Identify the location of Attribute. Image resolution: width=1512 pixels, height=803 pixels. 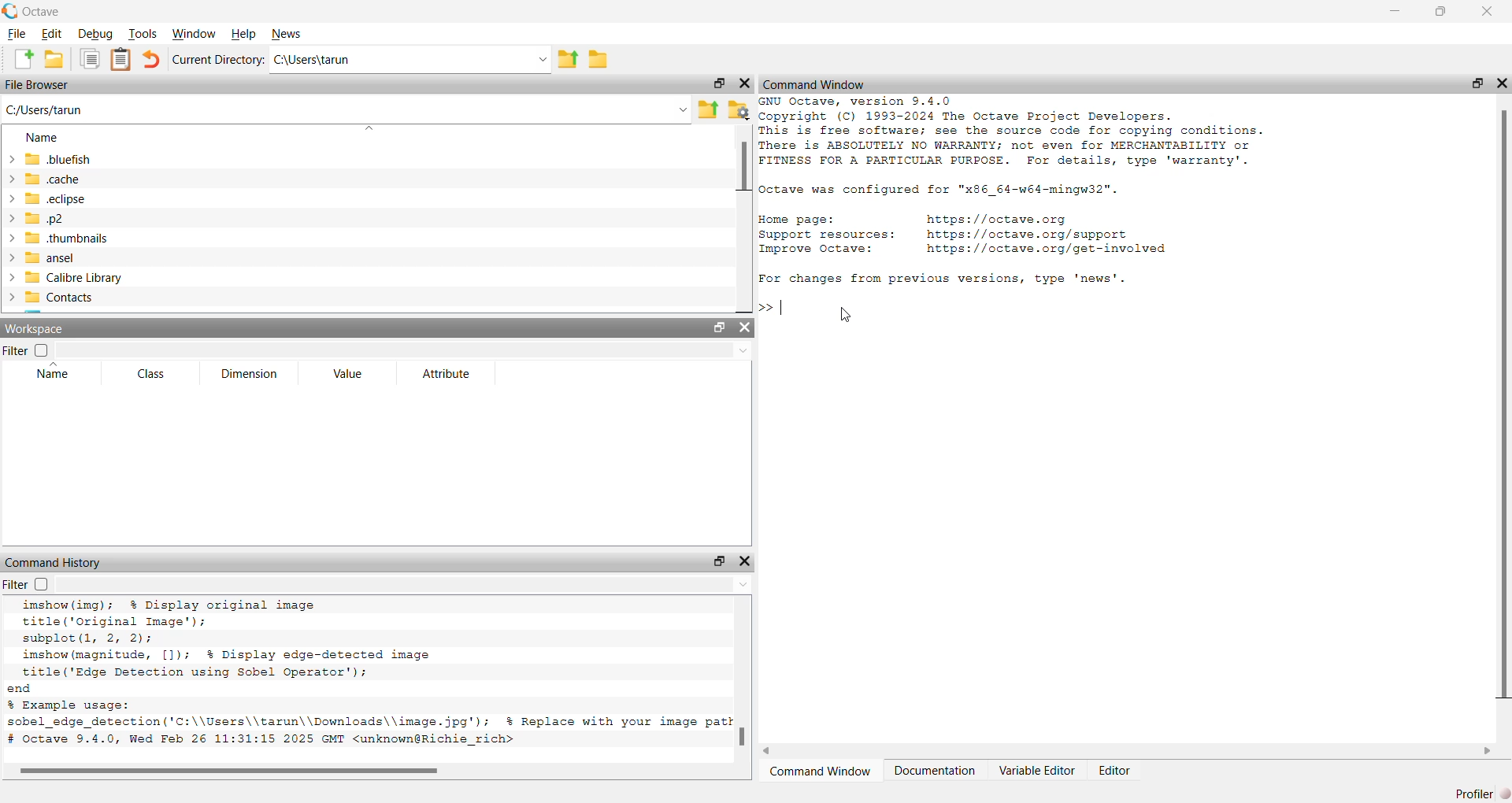
(448, 375).